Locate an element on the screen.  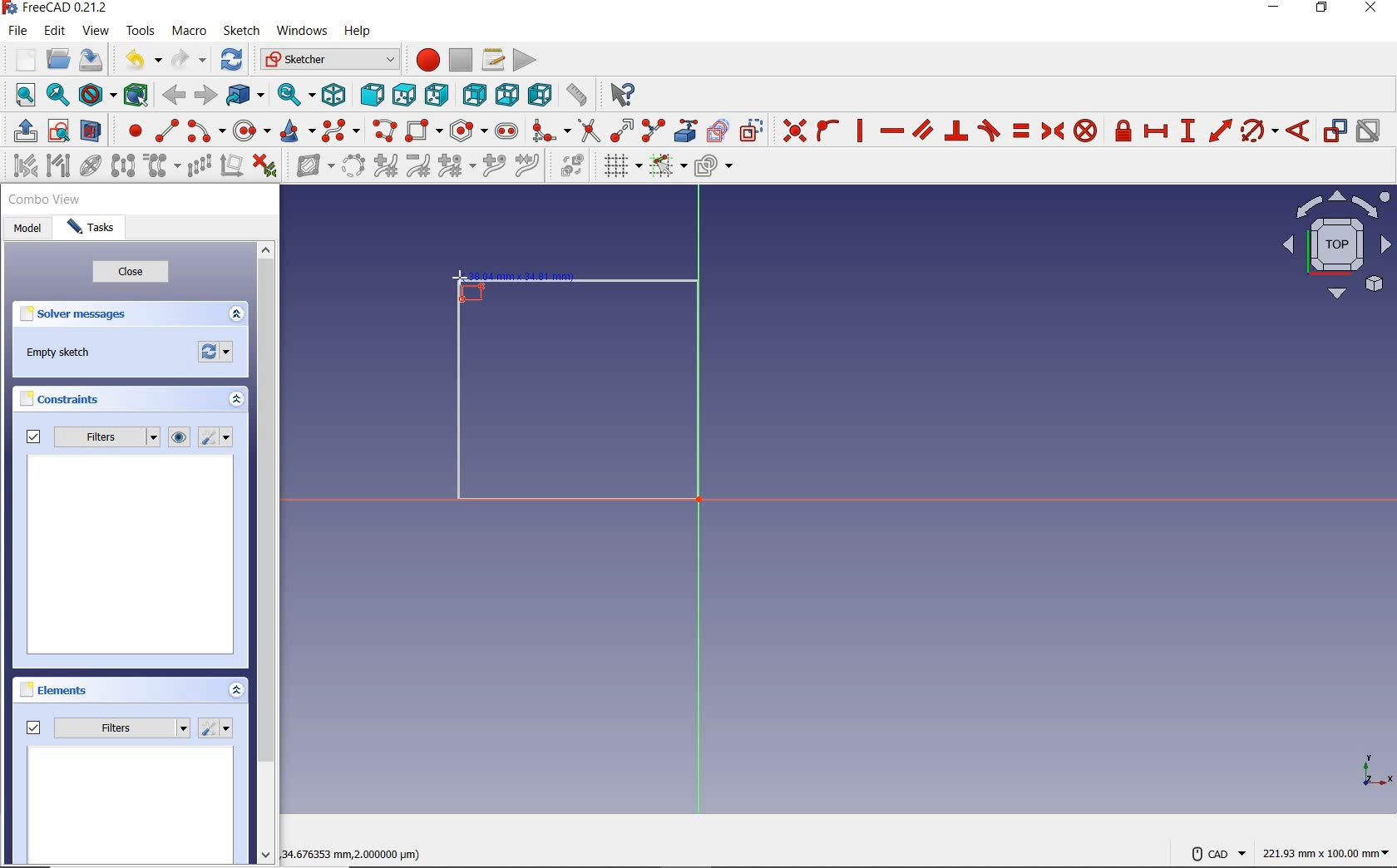
rectangular array is located at coordinates (200, 166).